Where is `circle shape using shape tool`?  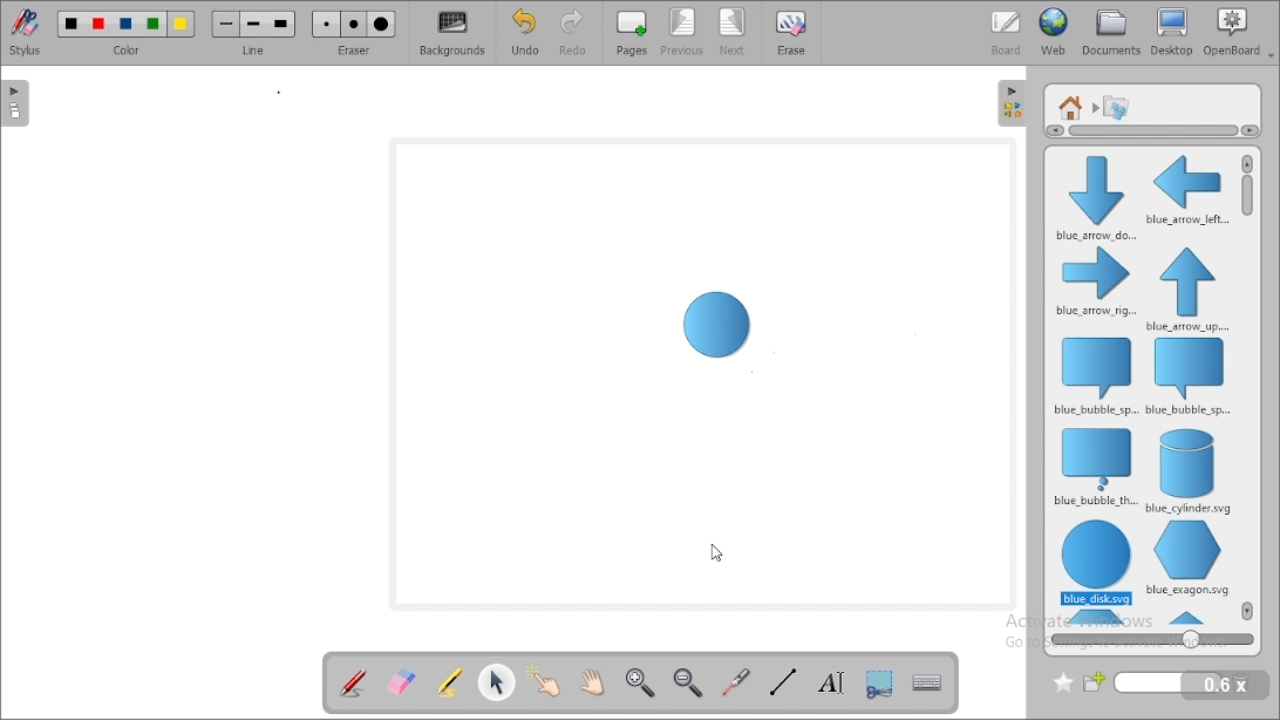
circle shape using shape tool is located at coordinates (714, 328).